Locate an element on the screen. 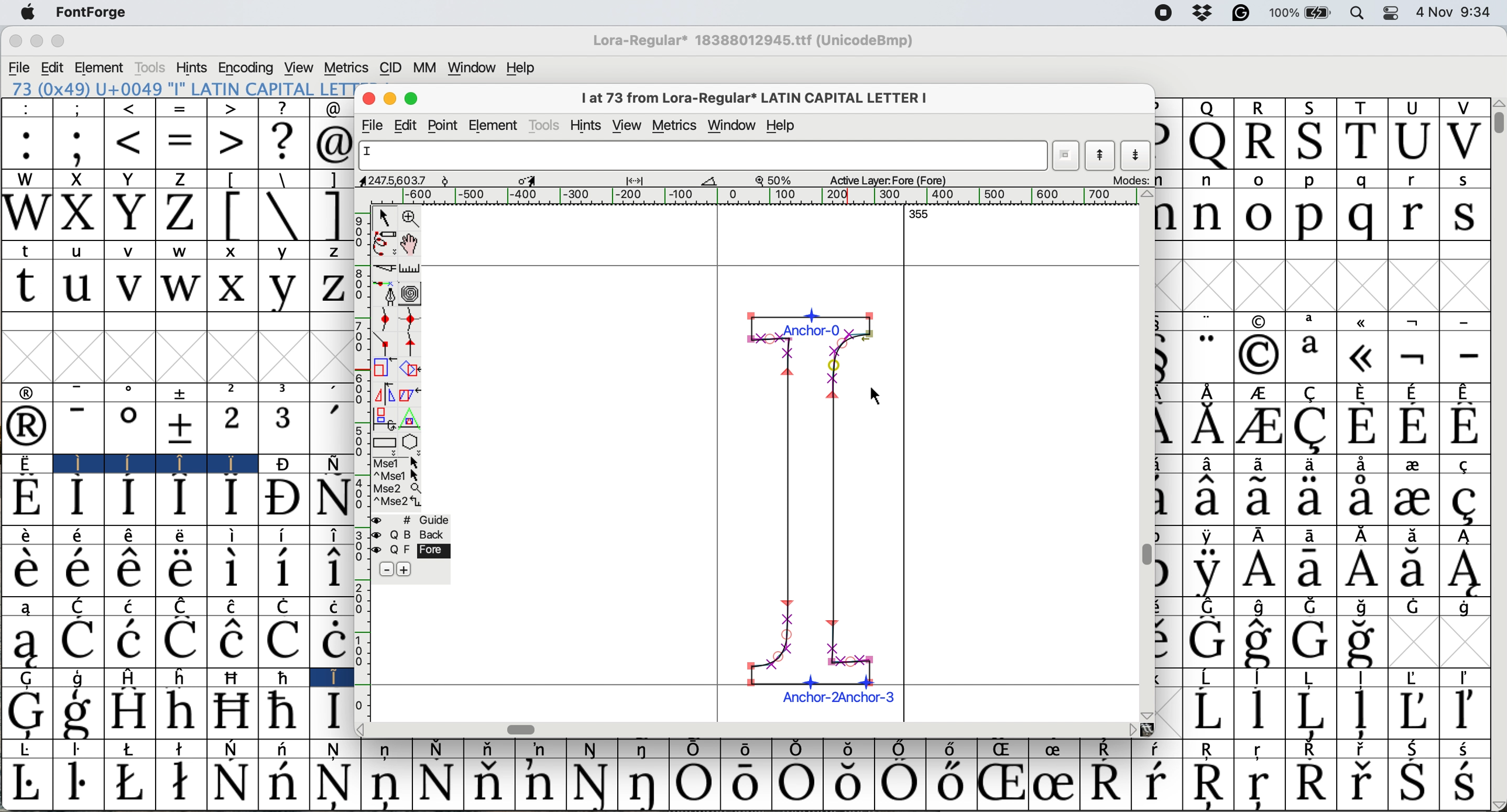 This screenshot has height=812, width=1507. Mse 1 is located at coordinates (395, 462).